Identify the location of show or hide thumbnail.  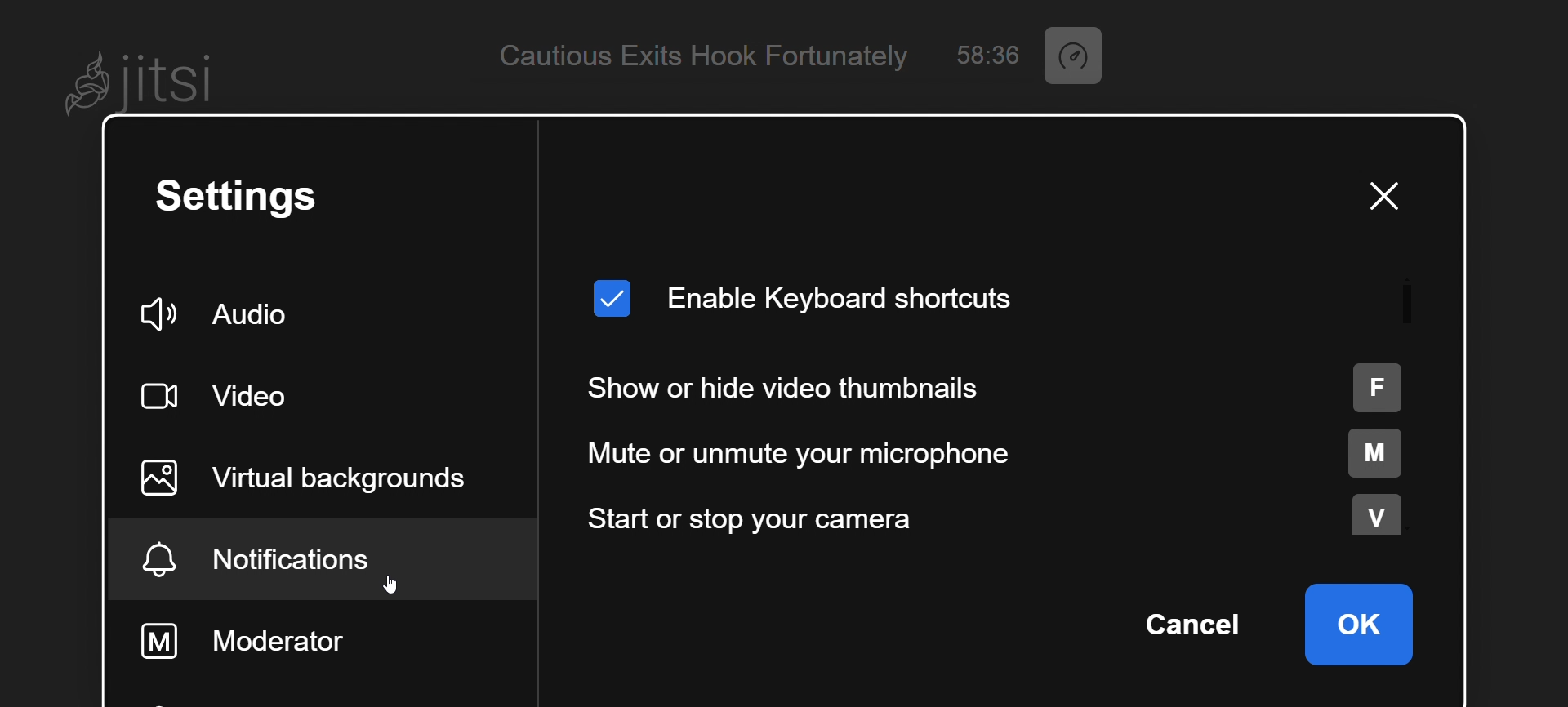
(996, 386).